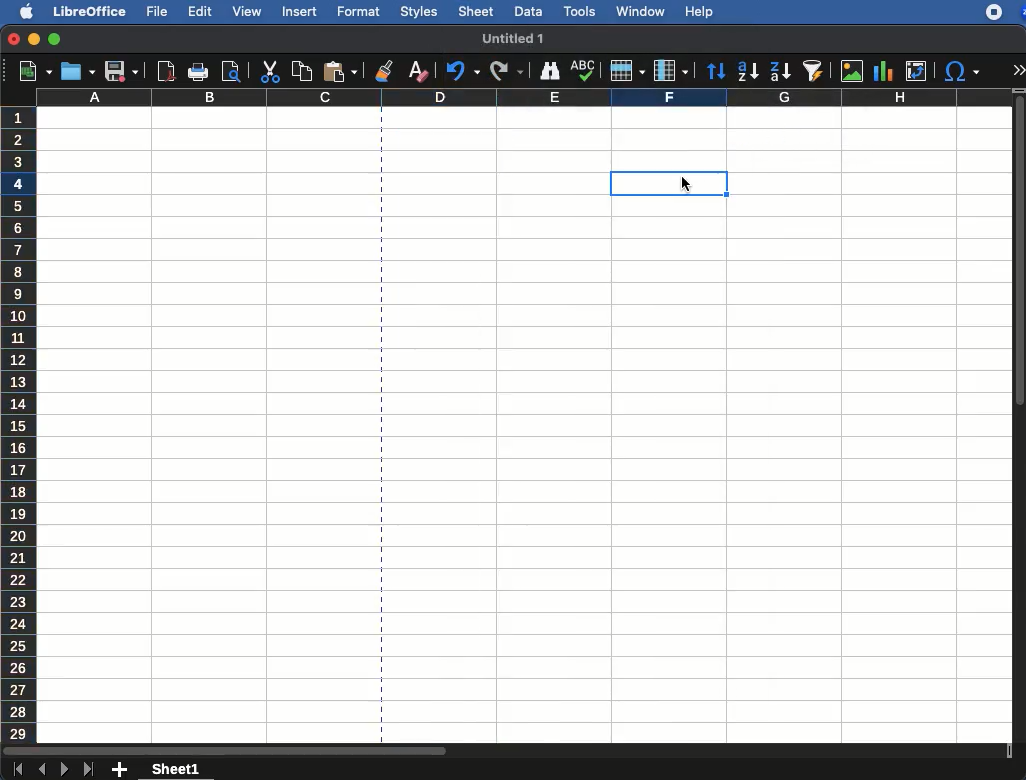  Describe the element at coordinates (299, 13) in the screenshot. I see `insert` at that location.